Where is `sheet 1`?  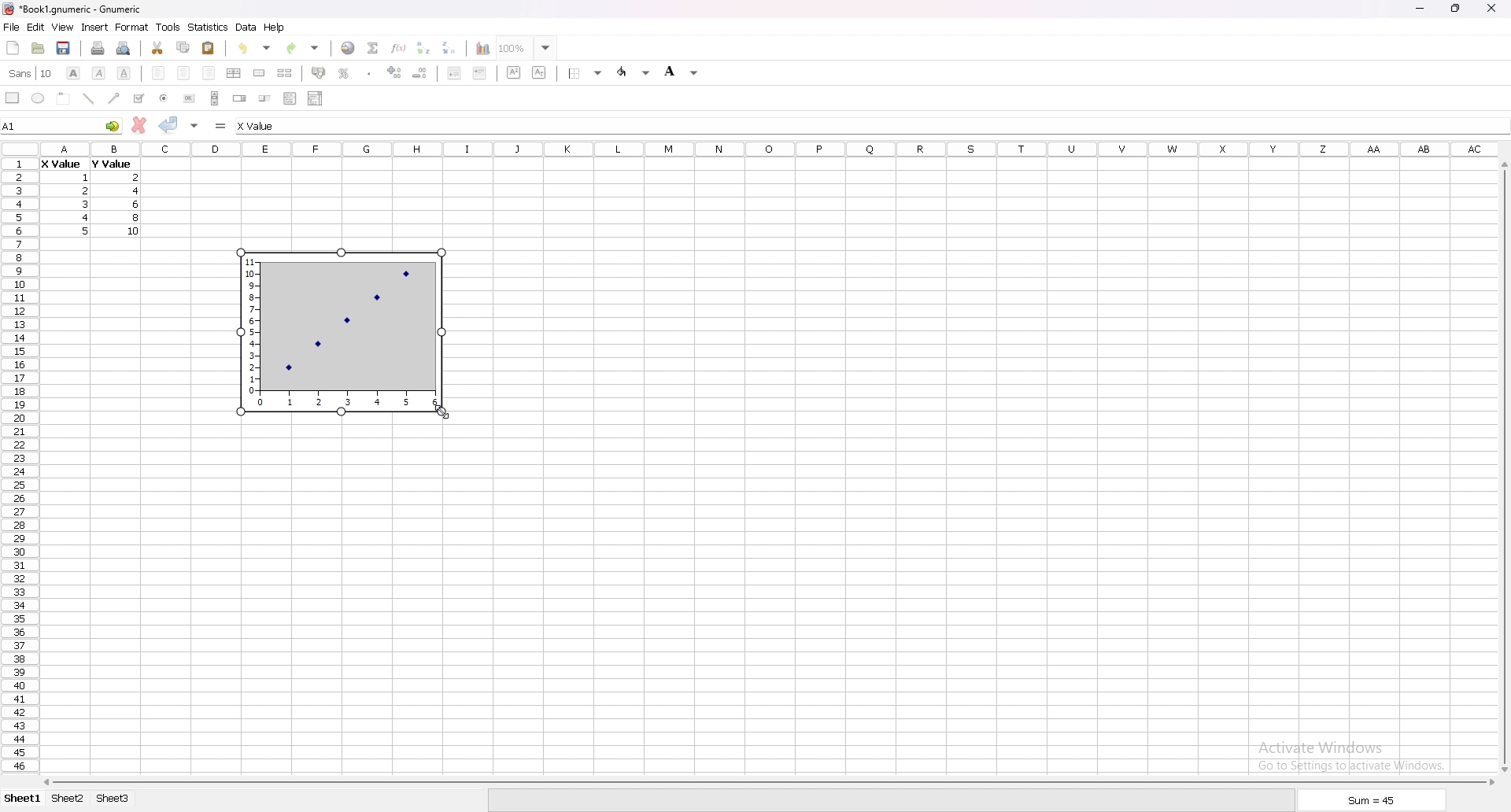 sheet 1 is located at coordinates (24, 799).